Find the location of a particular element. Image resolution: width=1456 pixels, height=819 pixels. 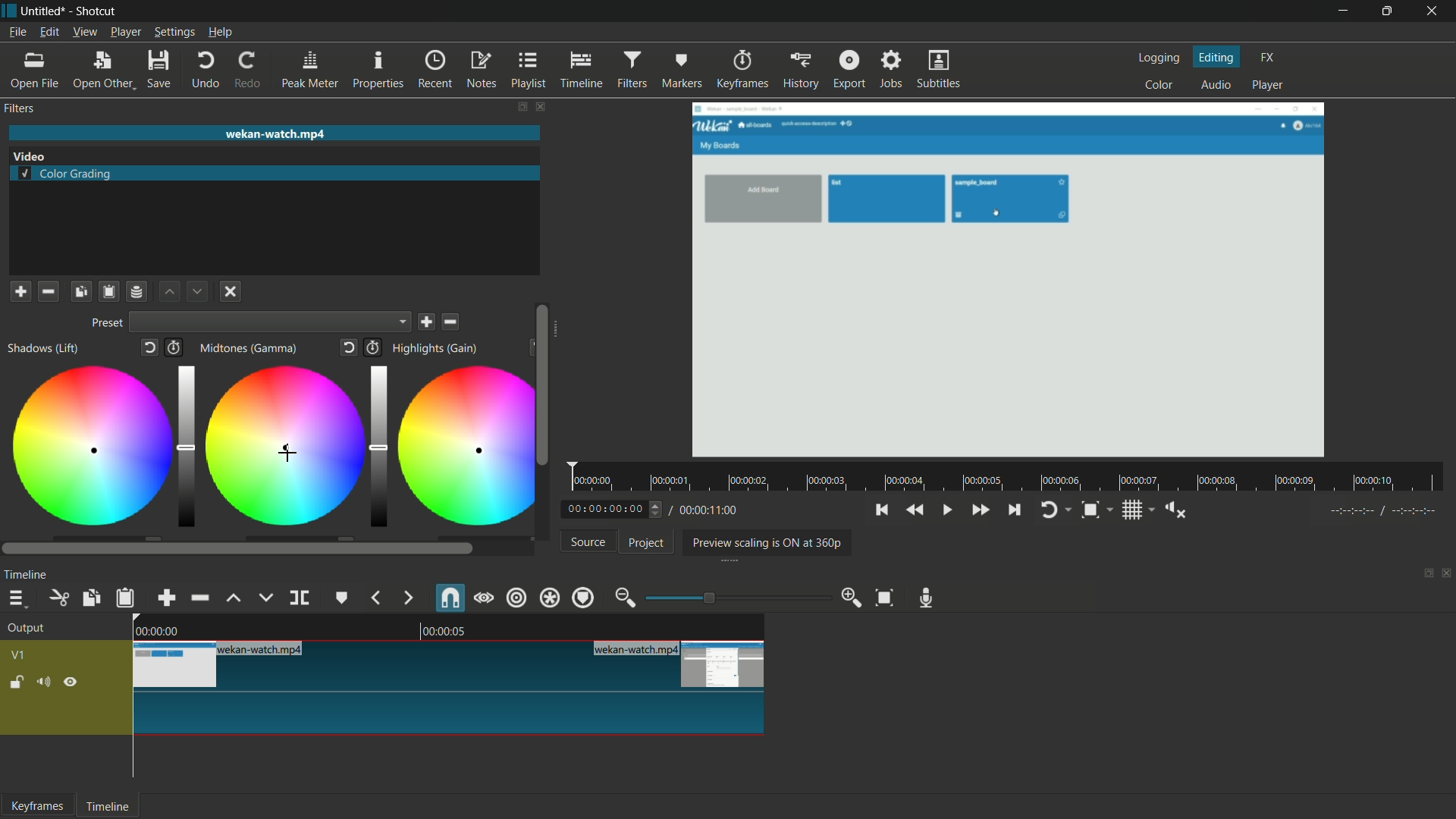

player menu is located at coordinates (125, 32).